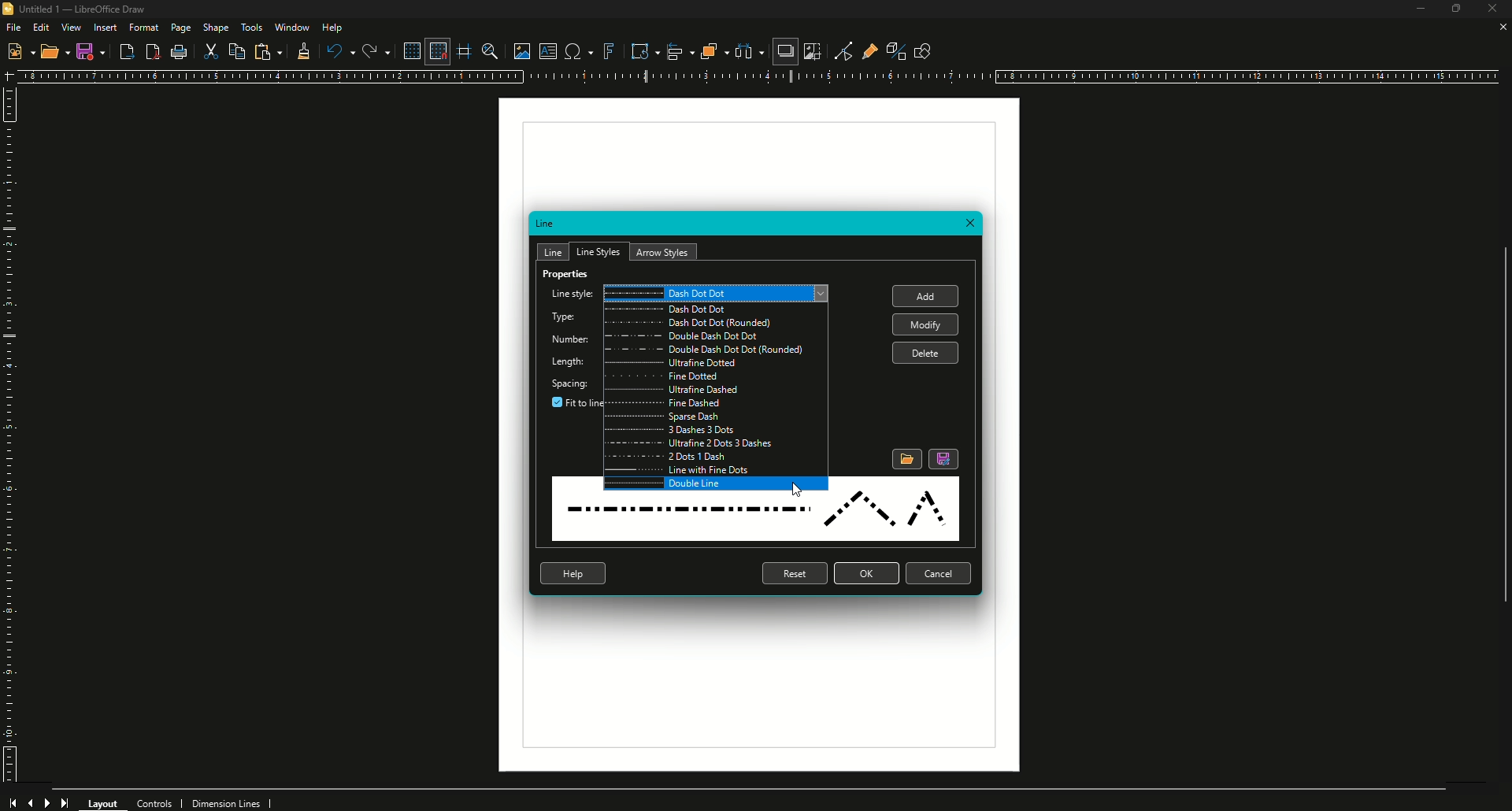 Image resolution: width=1512 pixels, height=811 pixels. What do you see at coordinates (793, 574) in the screenshot?
I see `Reset` at bounding box center [793, 574].